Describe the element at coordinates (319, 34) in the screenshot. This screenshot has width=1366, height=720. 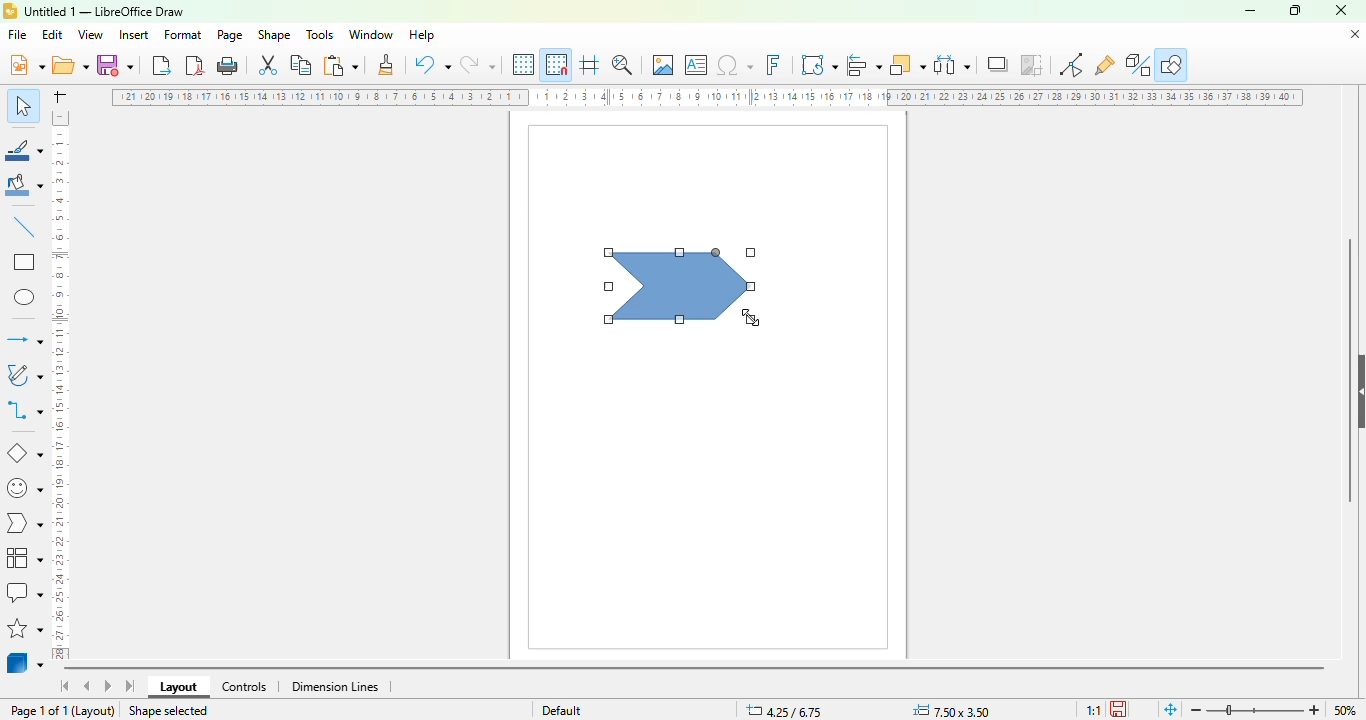
I see `tools` at that location.